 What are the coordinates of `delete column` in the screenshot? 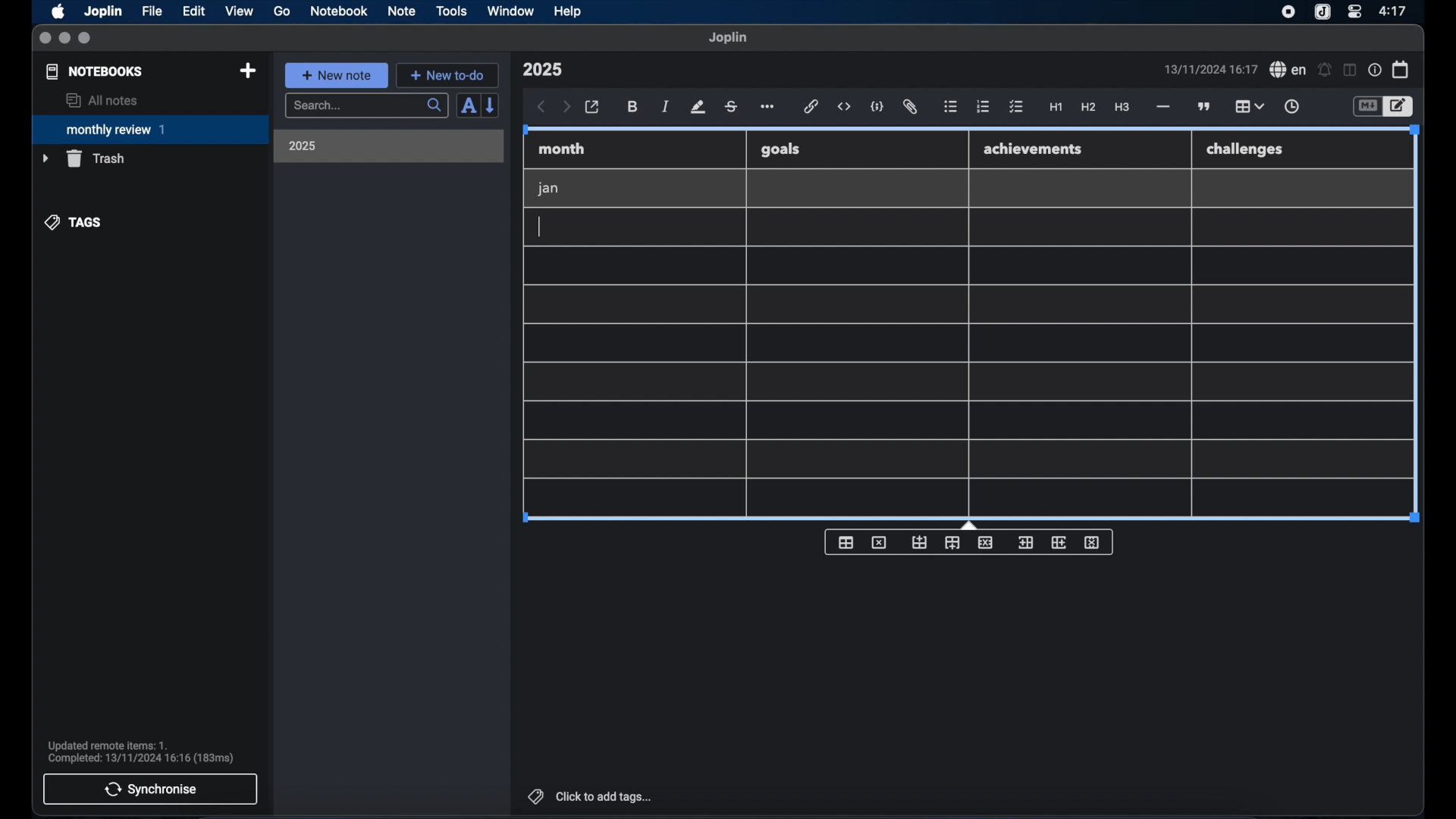 It's located at (1093, 543).